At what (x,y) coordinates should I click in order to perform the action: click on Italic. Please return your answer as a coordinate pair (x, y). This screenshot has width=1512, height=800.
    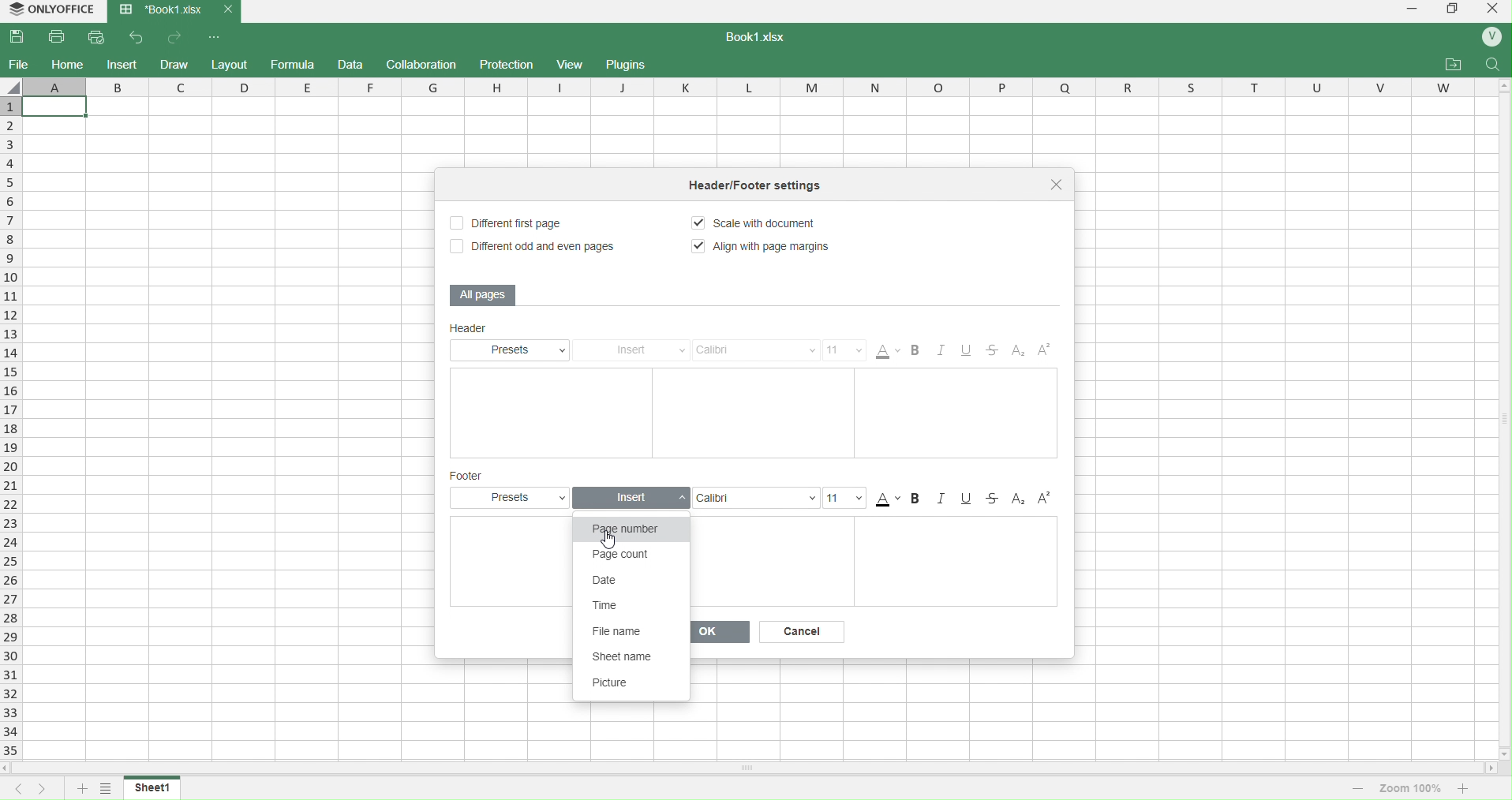
    Looking at the image, I should click on (945, 352).